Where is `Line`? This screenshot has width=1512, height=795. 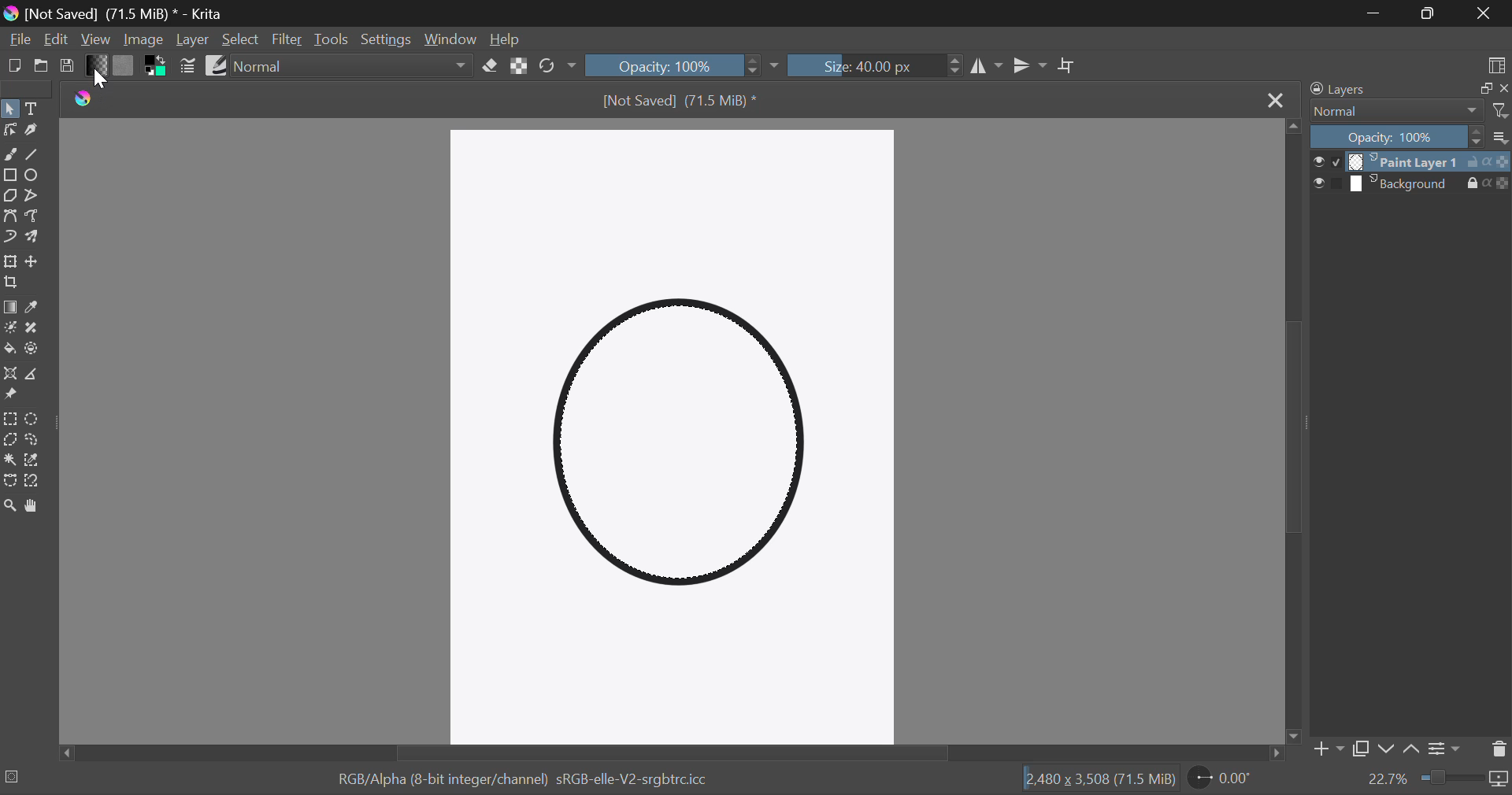
Line is located at coordinates (34, 155).